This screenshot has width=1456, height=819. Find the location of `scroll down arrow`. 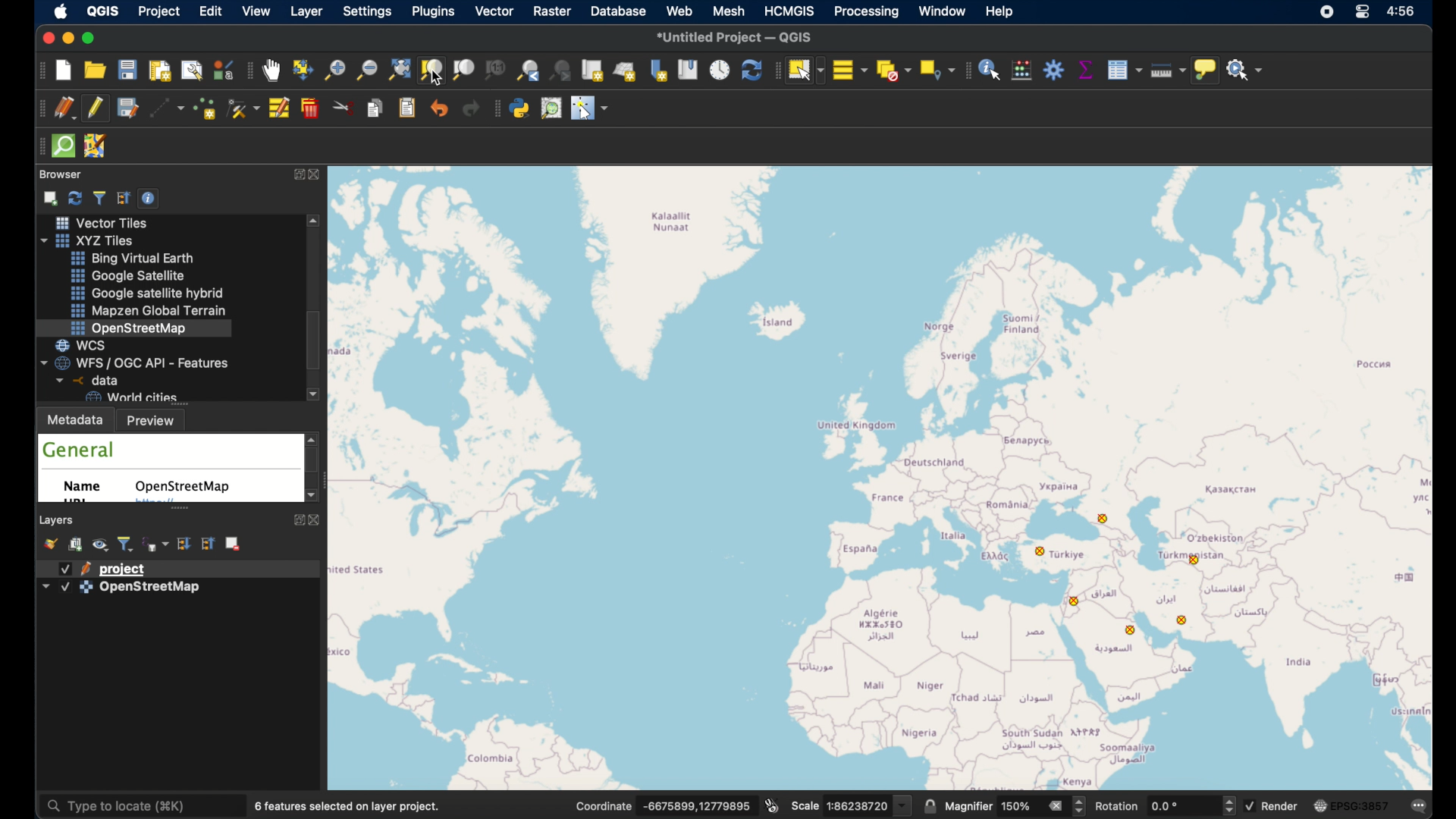

scroll down arrow is located at coordinates (315, 395).